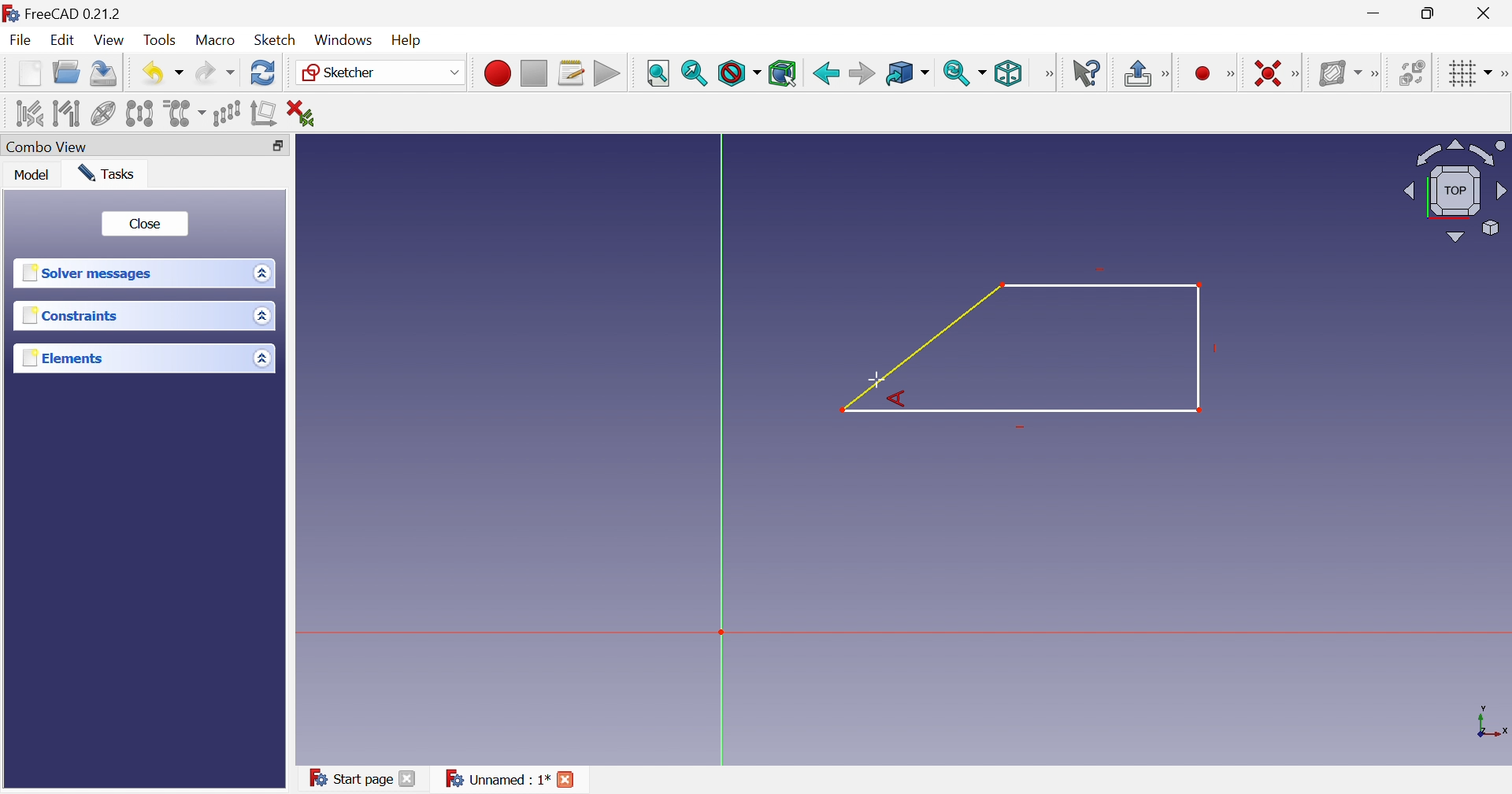 This screenshot has height=794, width=1512. I want to click on Show/Hide internal geometry, so click(102, 113).